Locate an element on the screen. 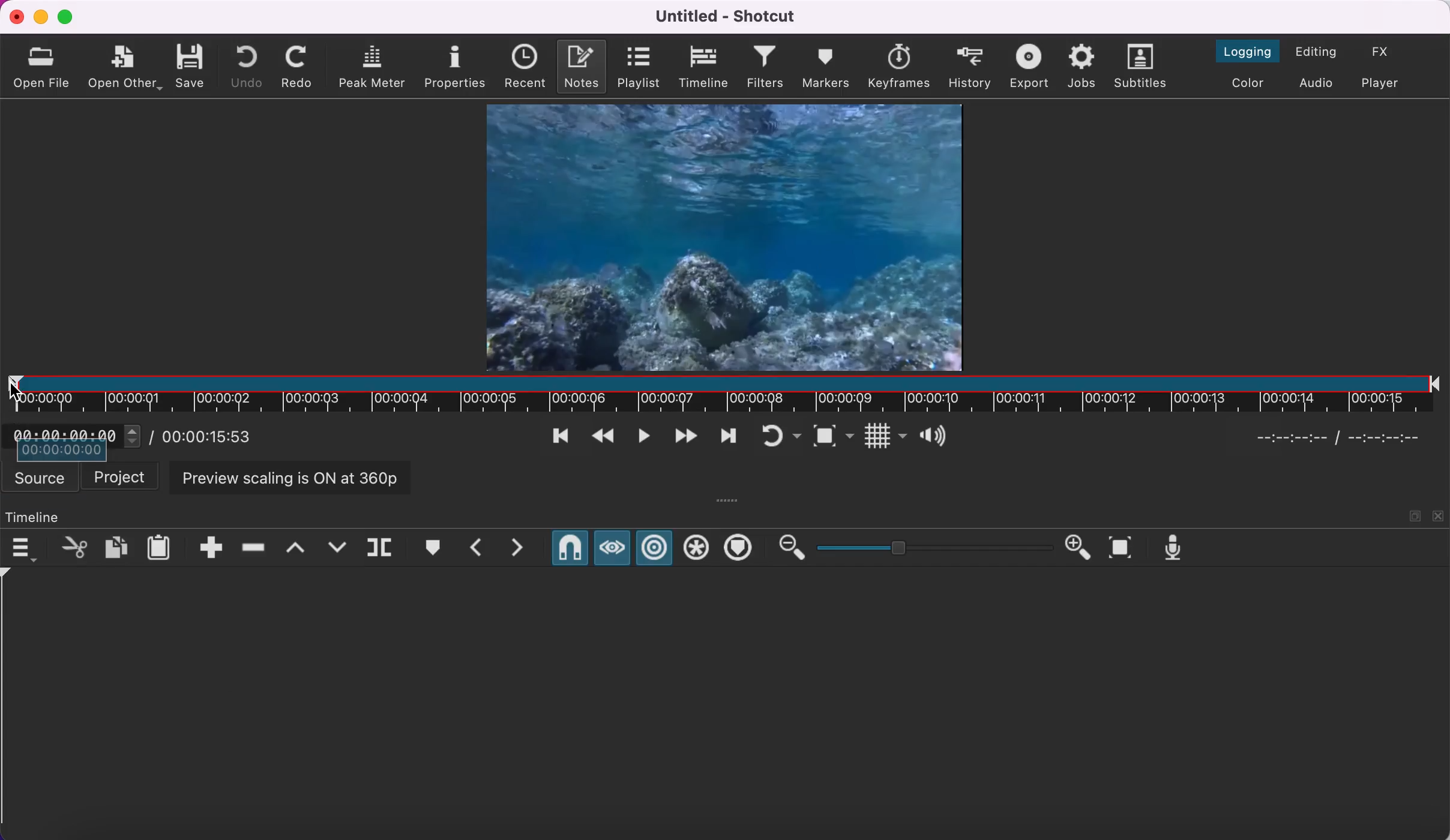  ripple all tracks is located at coordinates (696, 550).